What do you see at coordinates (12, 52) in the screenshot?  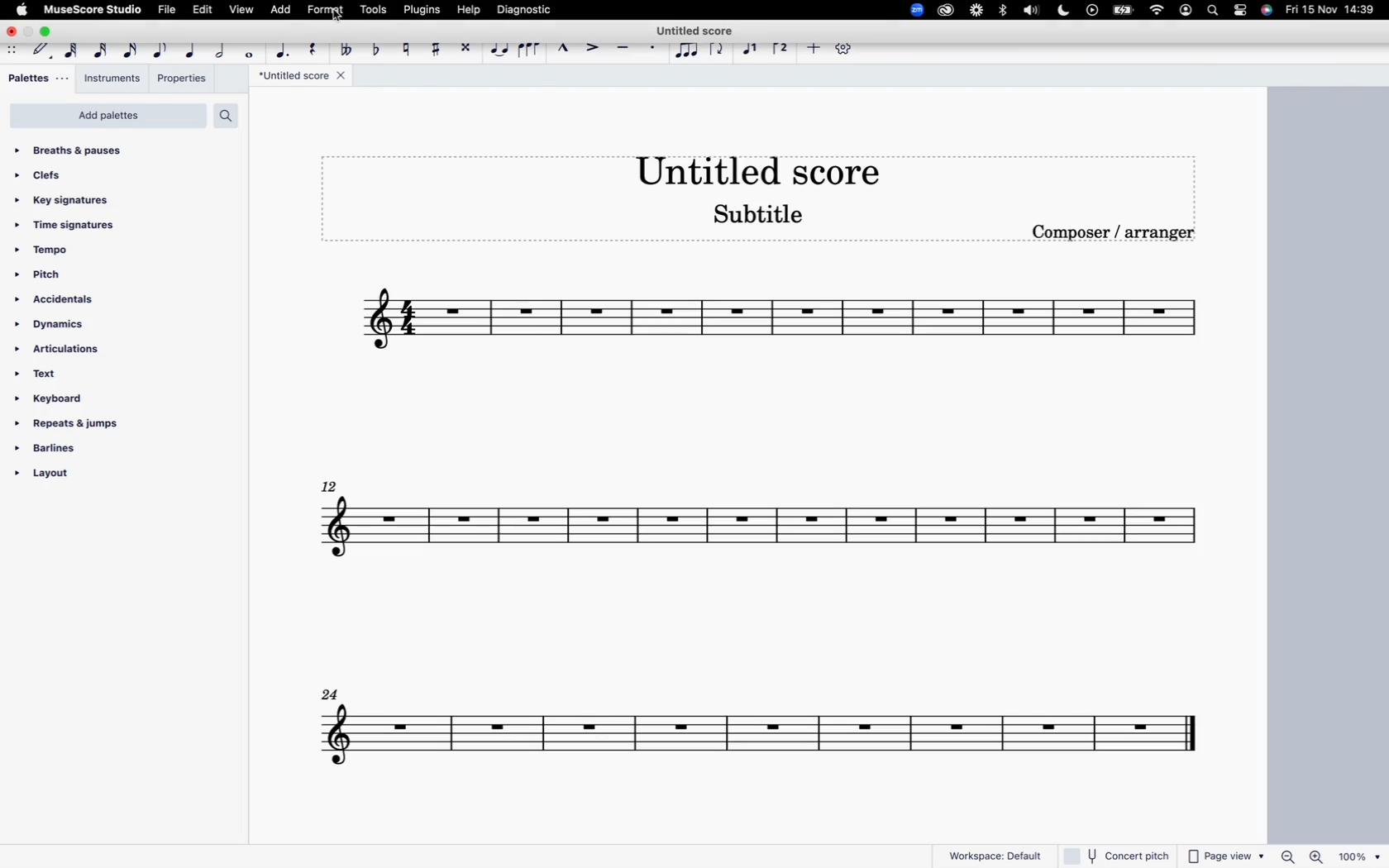 I see `move` at bounding box center [12, 52].